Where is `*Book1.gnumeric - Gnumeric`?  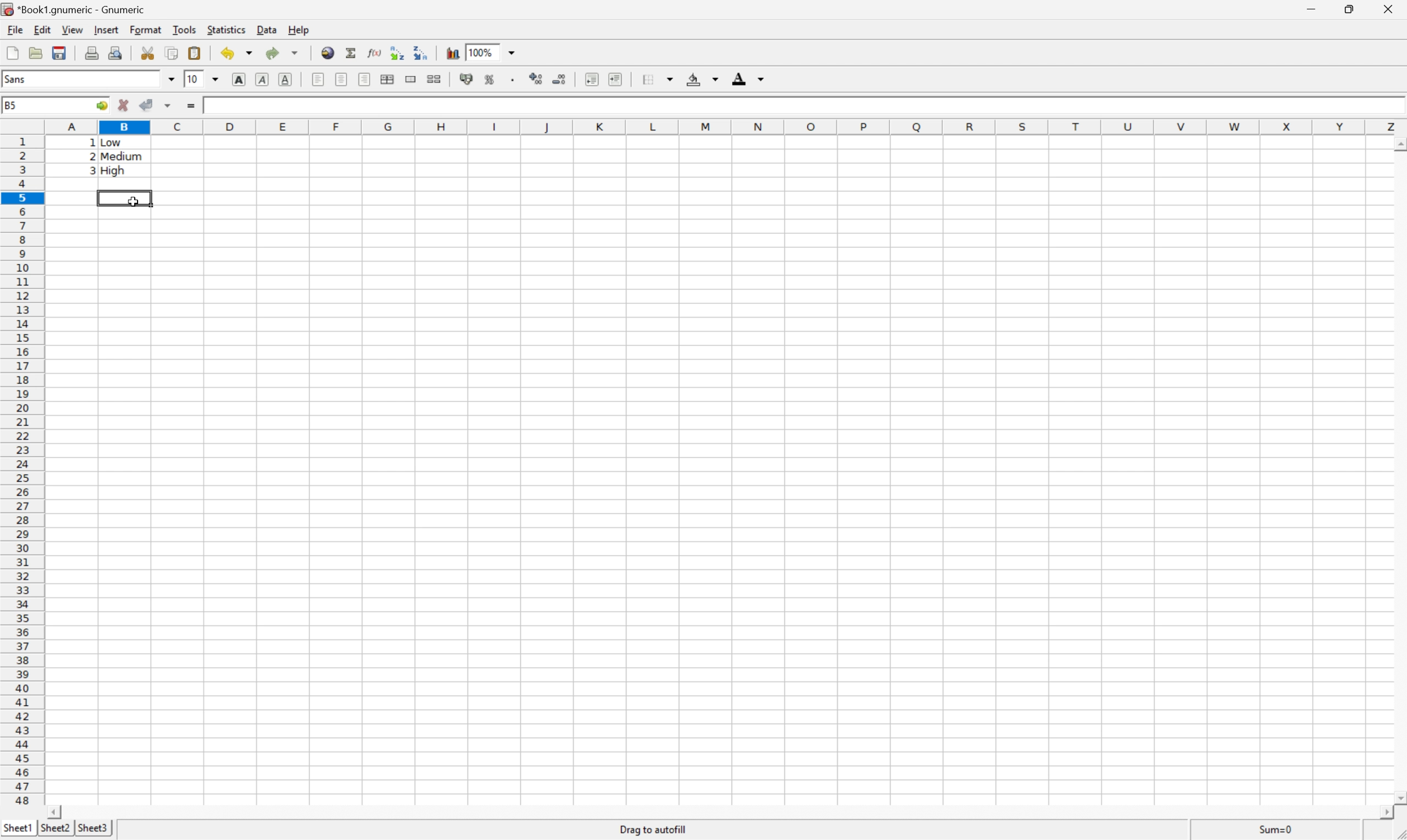 *Book1.gnumeric - Gnumeric is located at coordinates (76, 10).